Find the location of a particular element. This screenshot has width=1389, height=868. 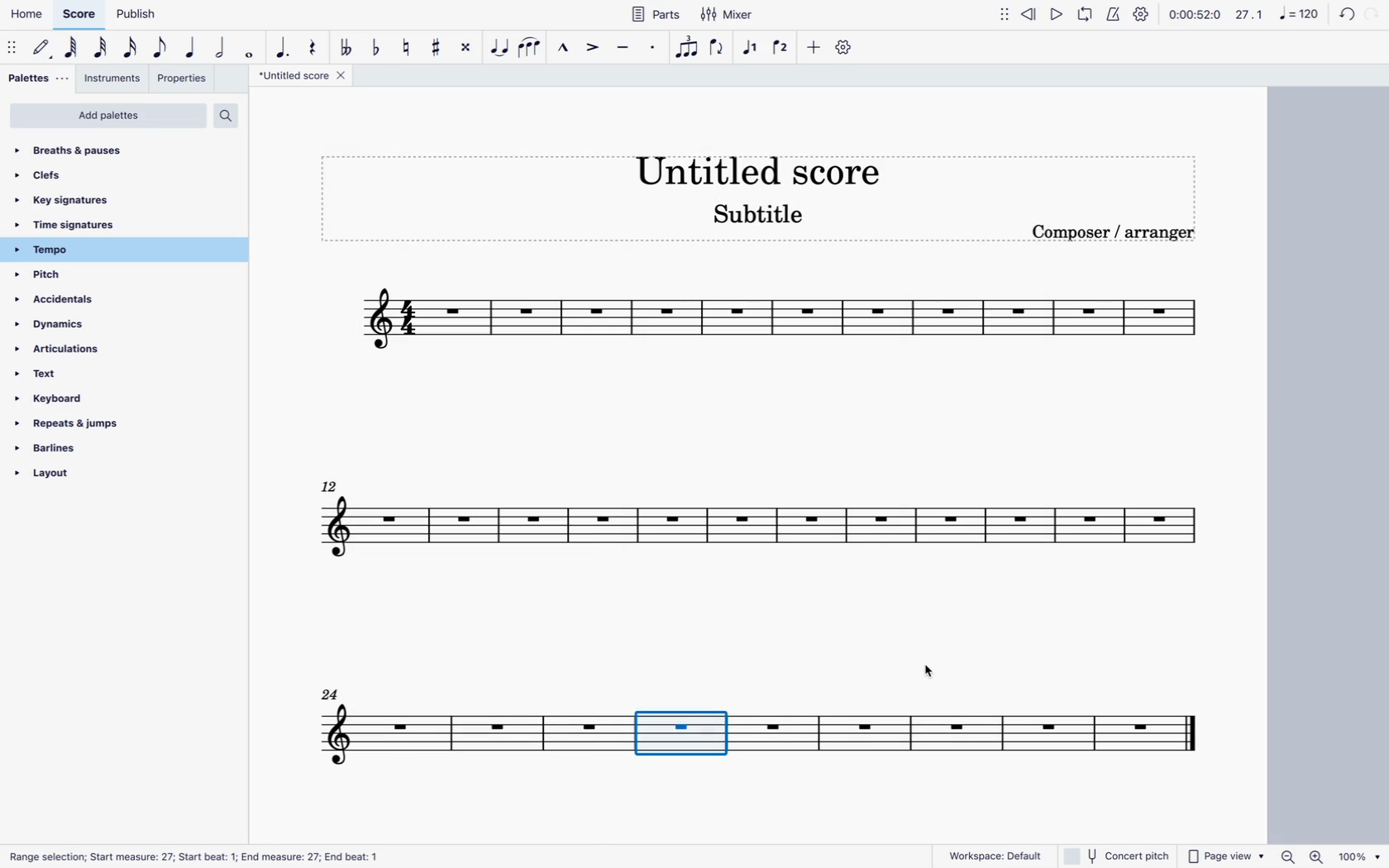

articulations is located at coordinates (79, 350).